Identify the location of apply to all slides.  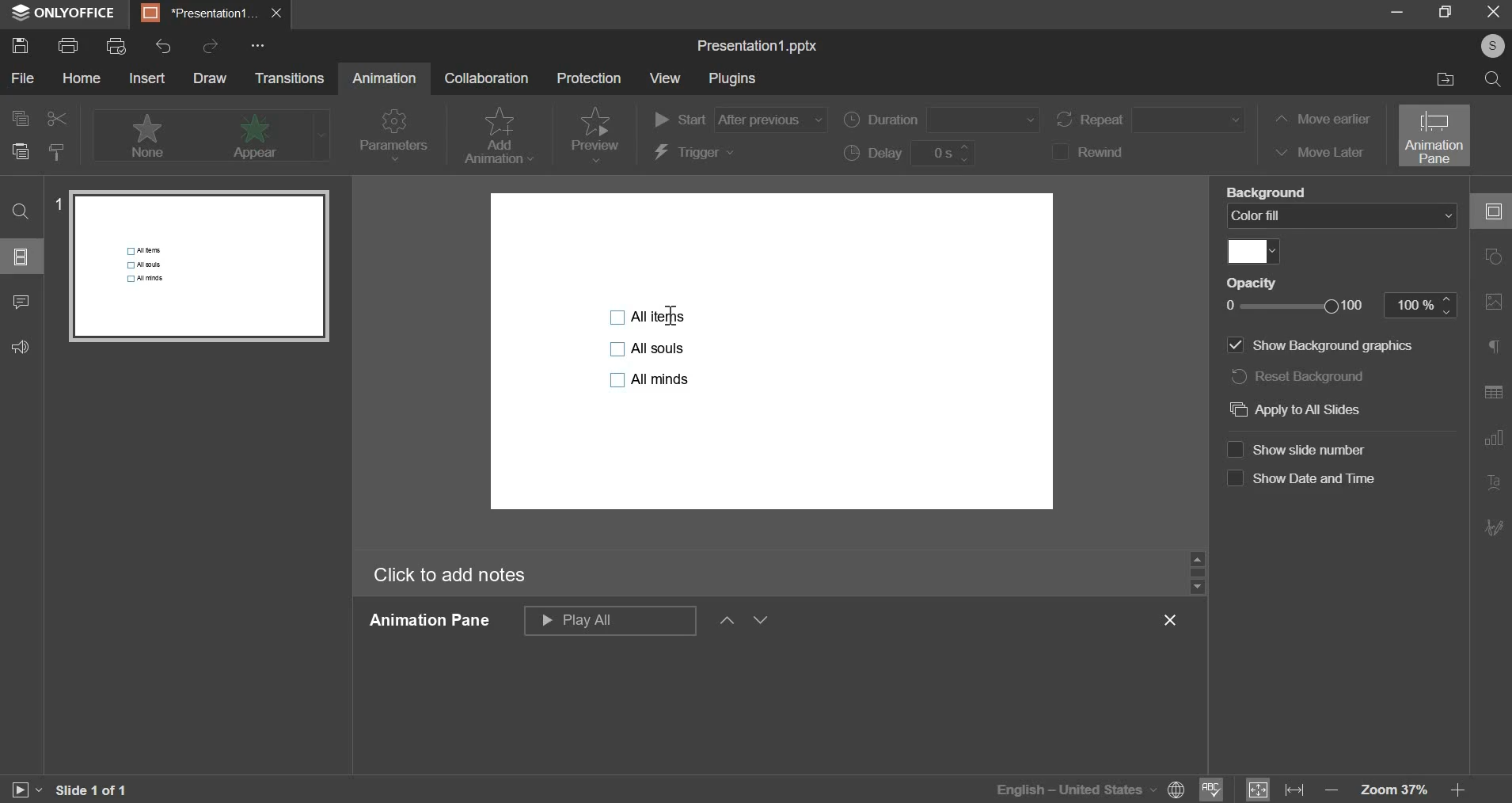
(1305, 409).